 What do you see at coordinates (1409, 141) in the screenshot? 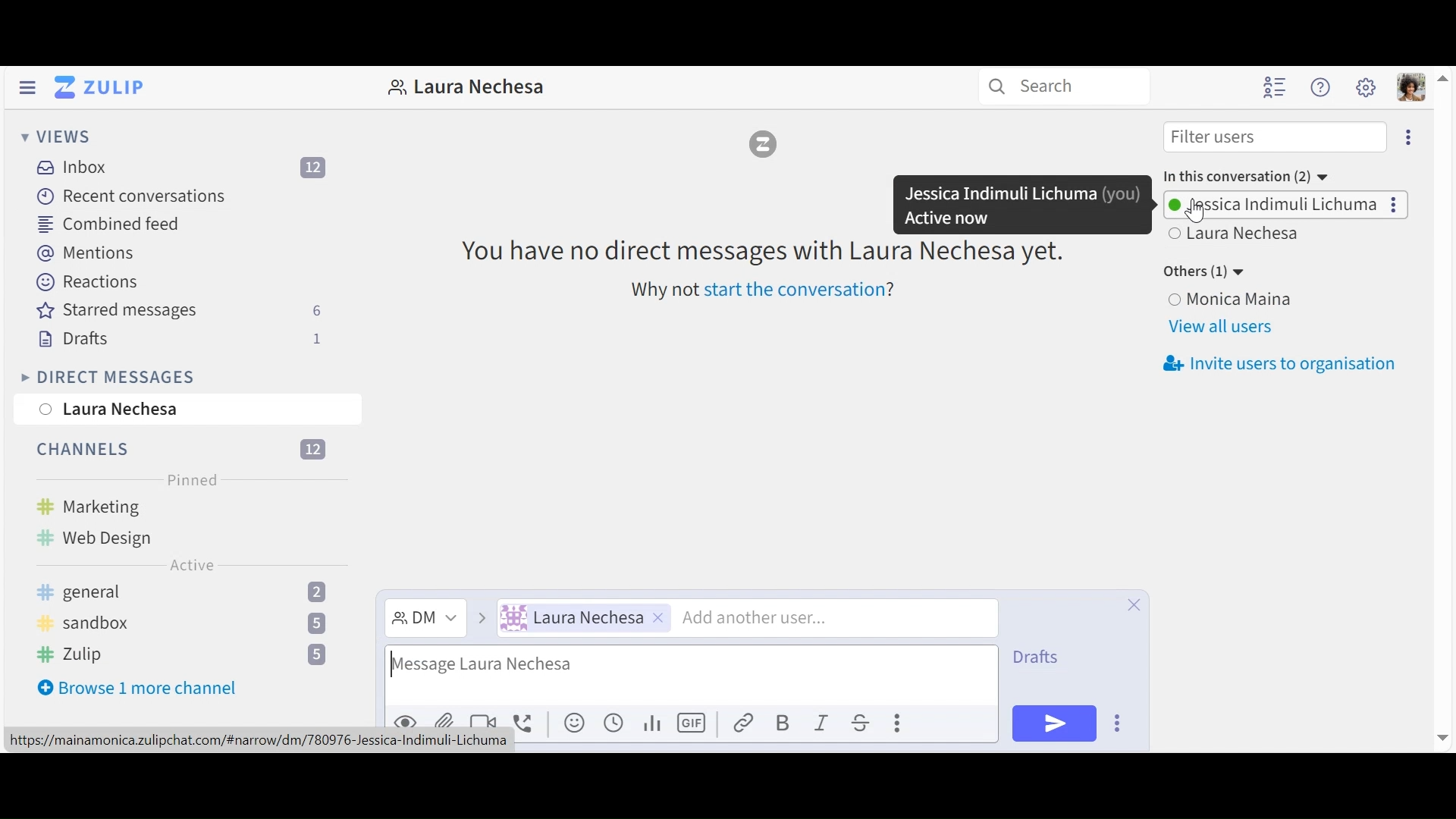
I see `more options` at bounding box center [1409, 141].